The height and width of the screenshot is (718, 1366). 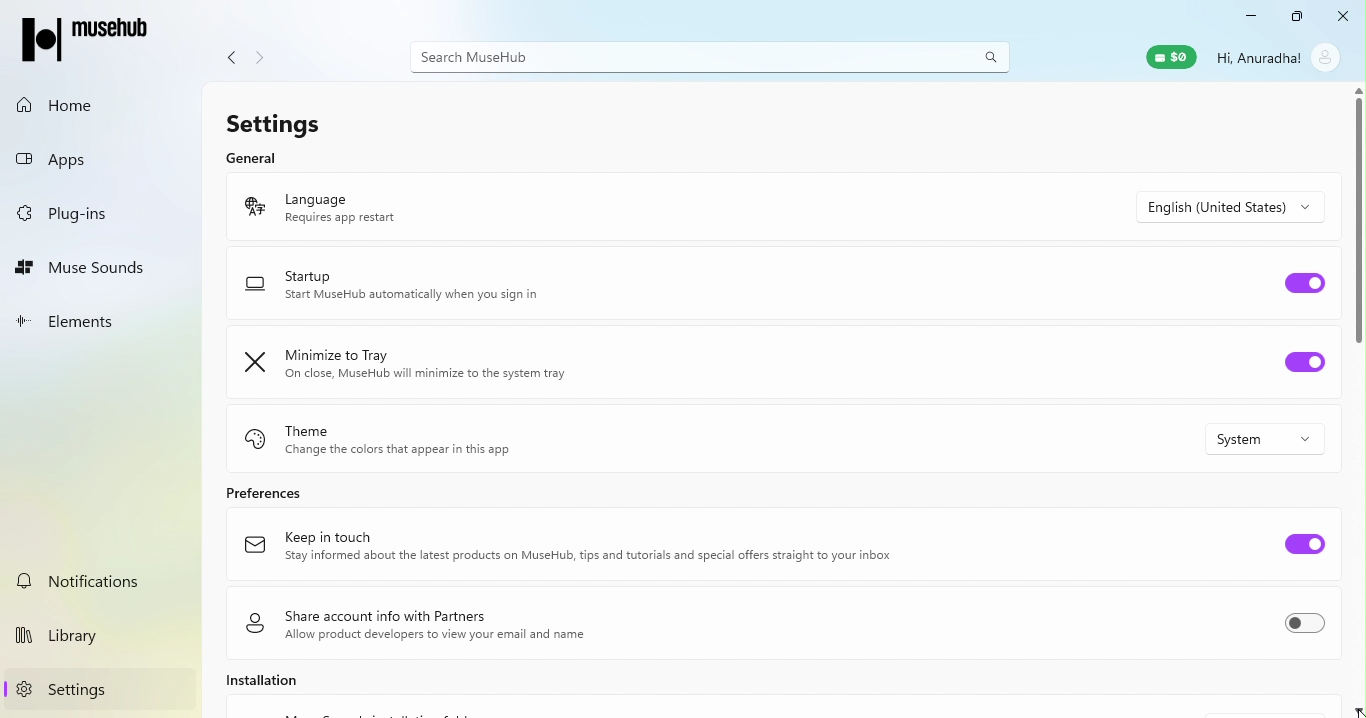 What do you see at coordinates (1301, 623) in the screenshot?
I see `Toggle` at bounding box center [1301, 623].